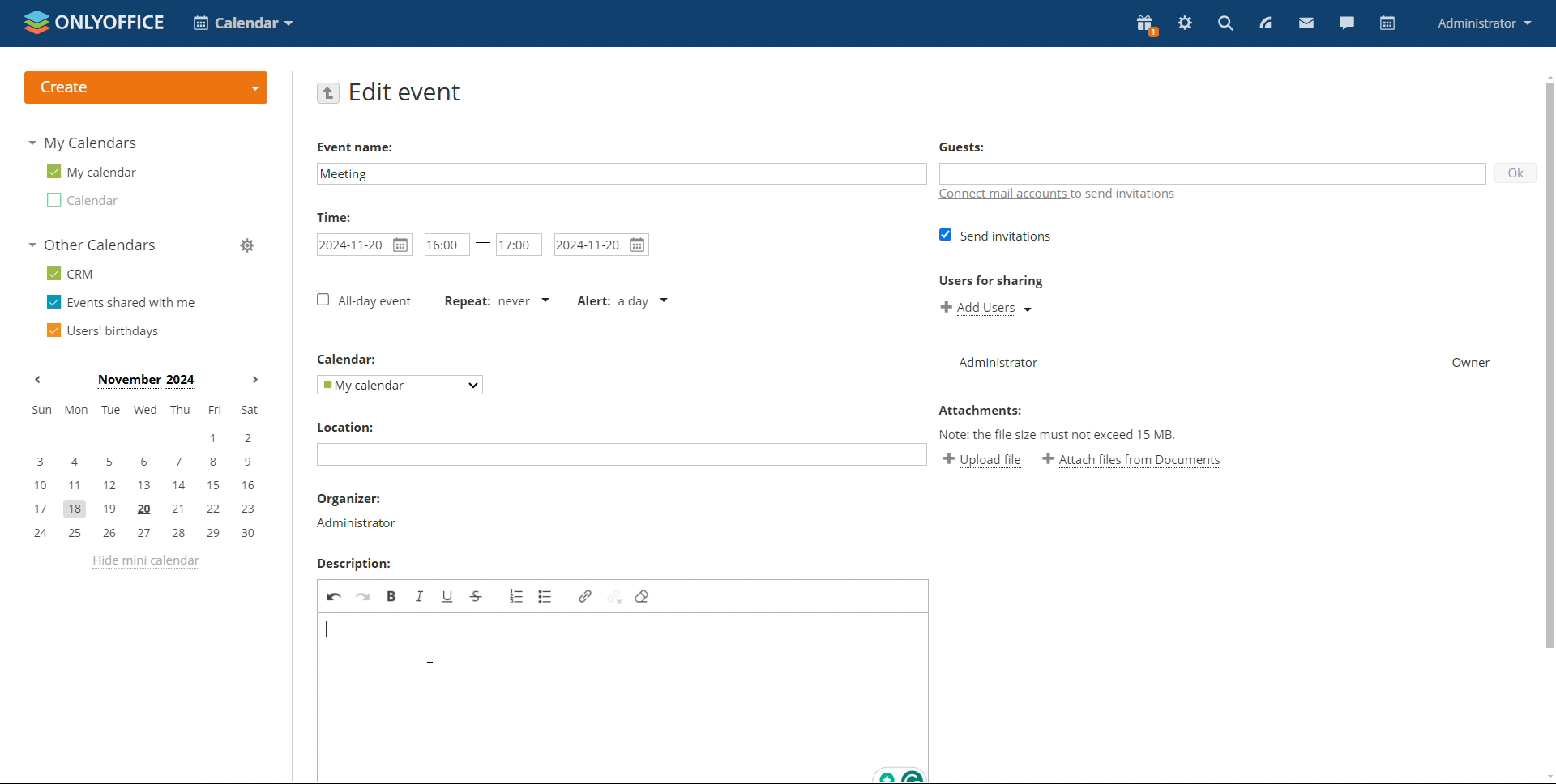  What do you see at coordinates (362, 596) in the screenshot?
I see `redo` at bounding box center [362, 596].